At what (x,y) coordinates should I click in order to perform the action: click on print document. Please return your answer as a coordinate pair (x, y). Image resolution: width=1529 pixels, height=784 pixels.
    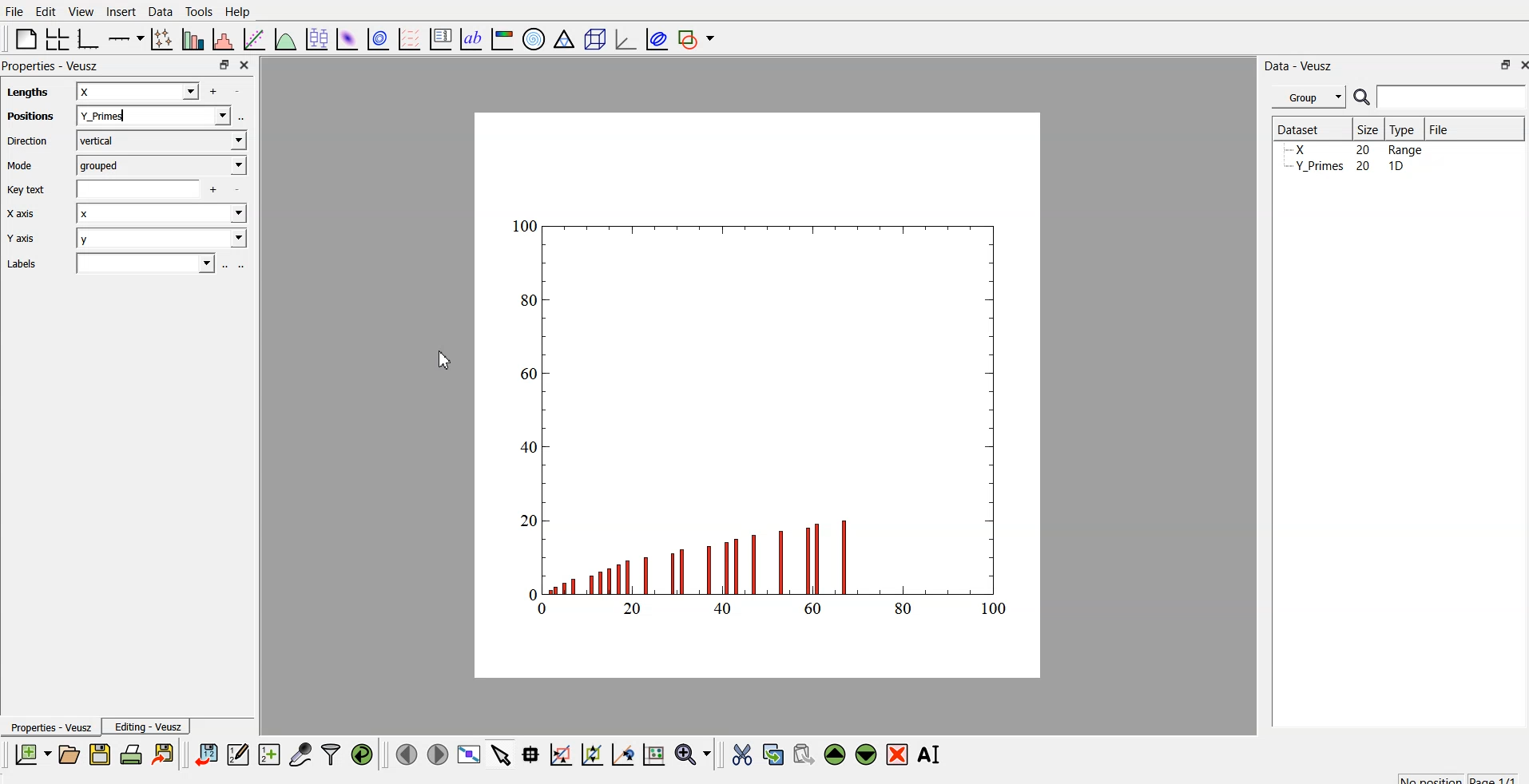
    Looking at the image, I should click on (133, 755).